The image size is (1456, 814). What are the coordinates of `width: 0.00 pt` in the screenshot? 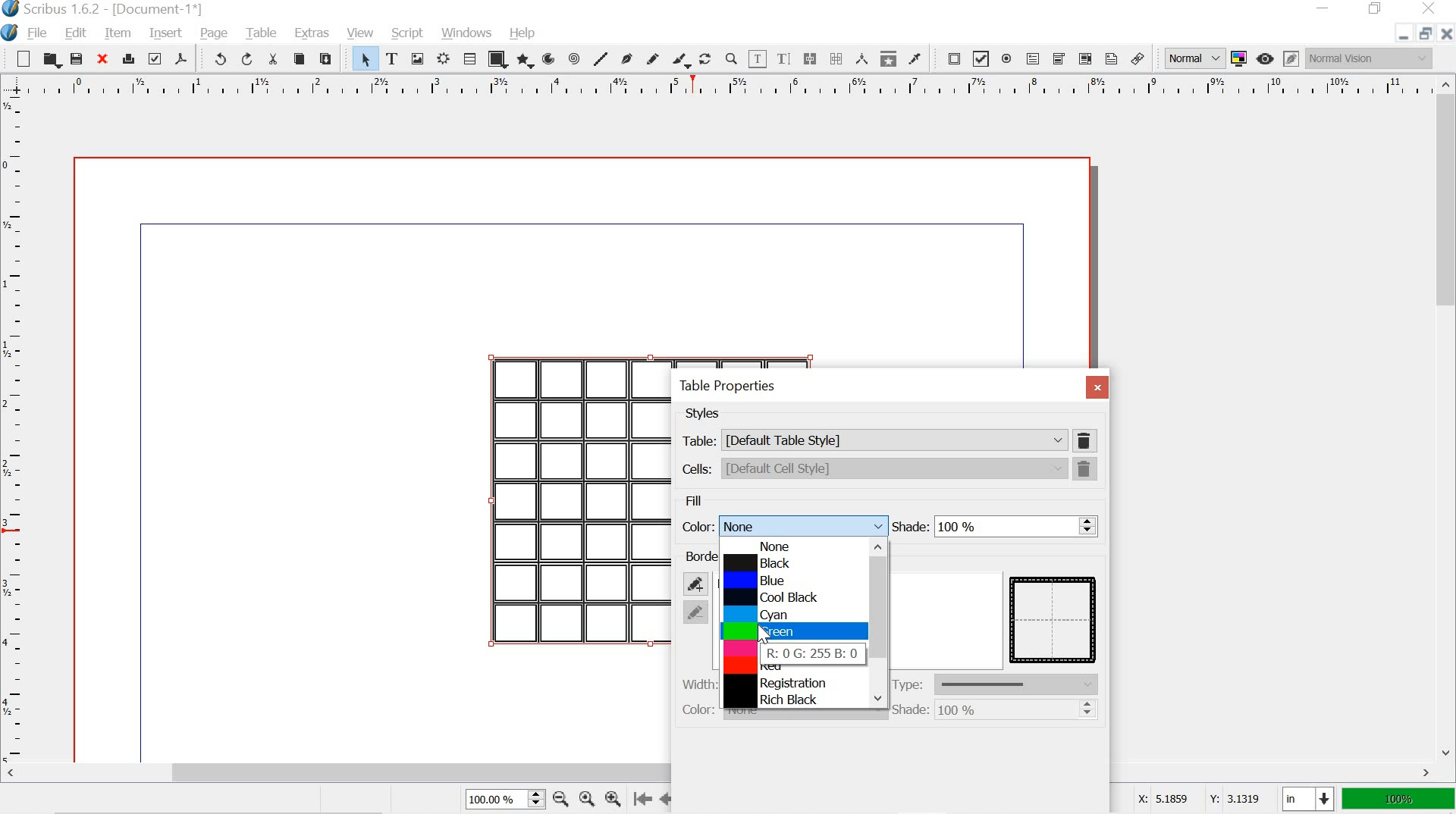 It's located at (700, 684).